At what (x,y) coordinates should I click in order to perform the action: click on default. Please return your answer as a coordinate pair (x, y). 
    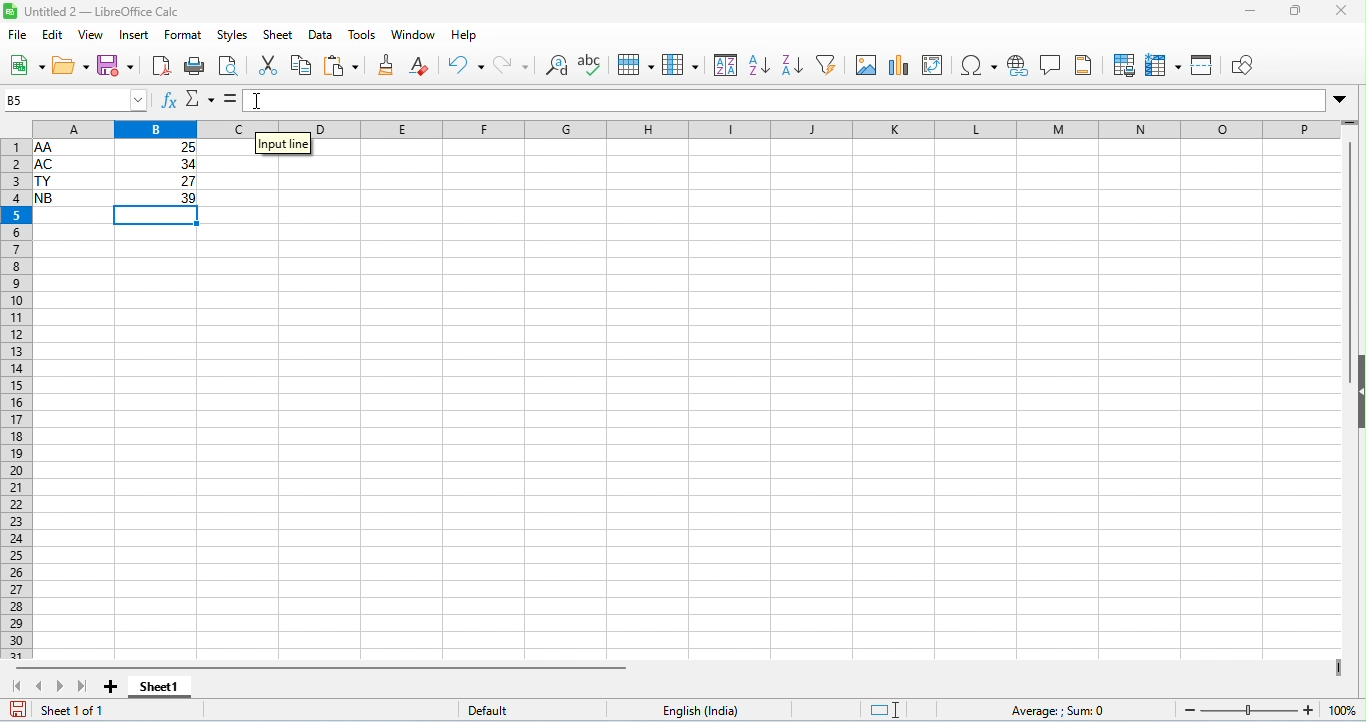
    Looking at the image, I should click on (489, 710).